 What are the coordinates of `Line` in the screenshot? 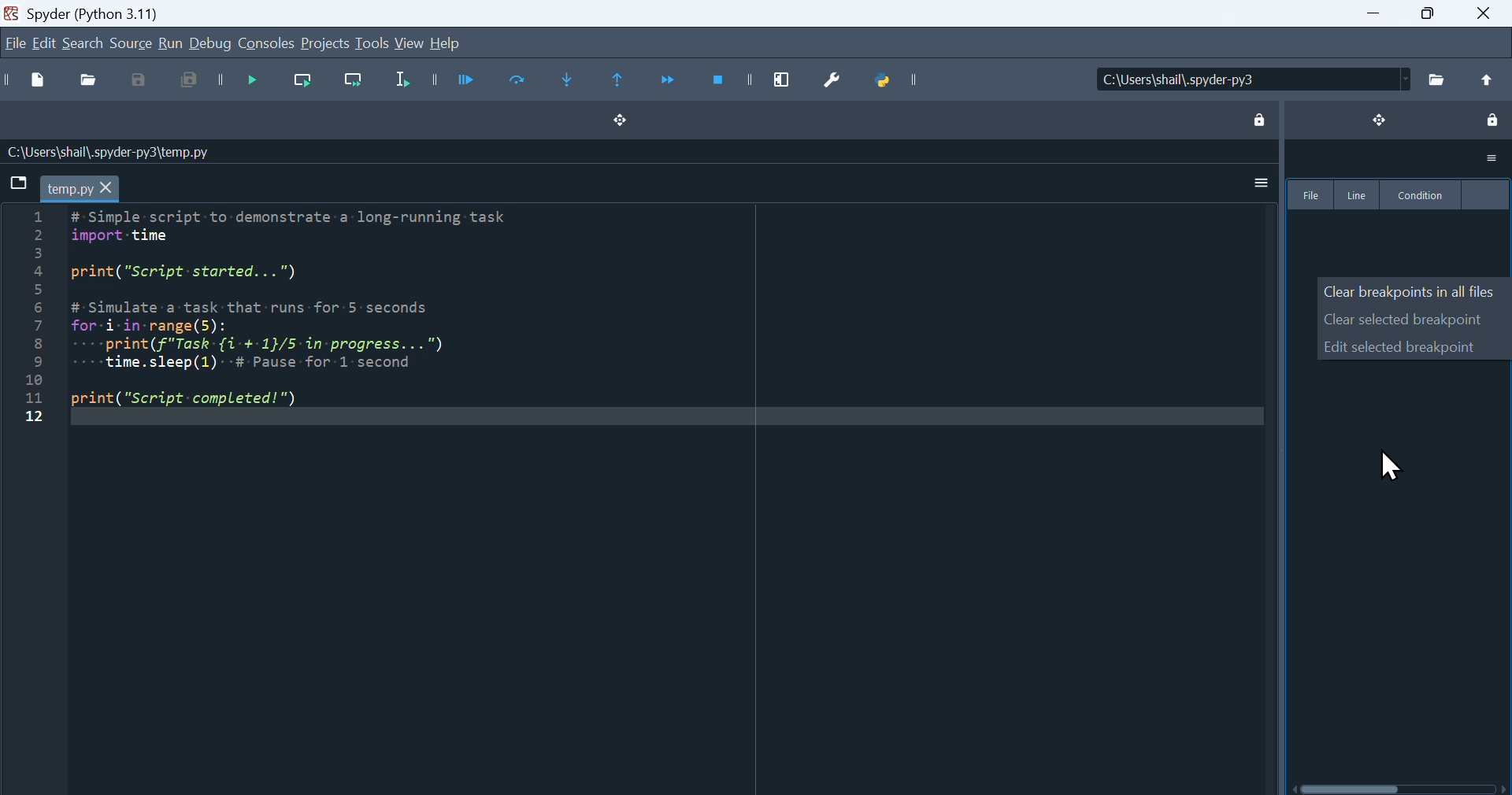 It's located at (1355, 194).